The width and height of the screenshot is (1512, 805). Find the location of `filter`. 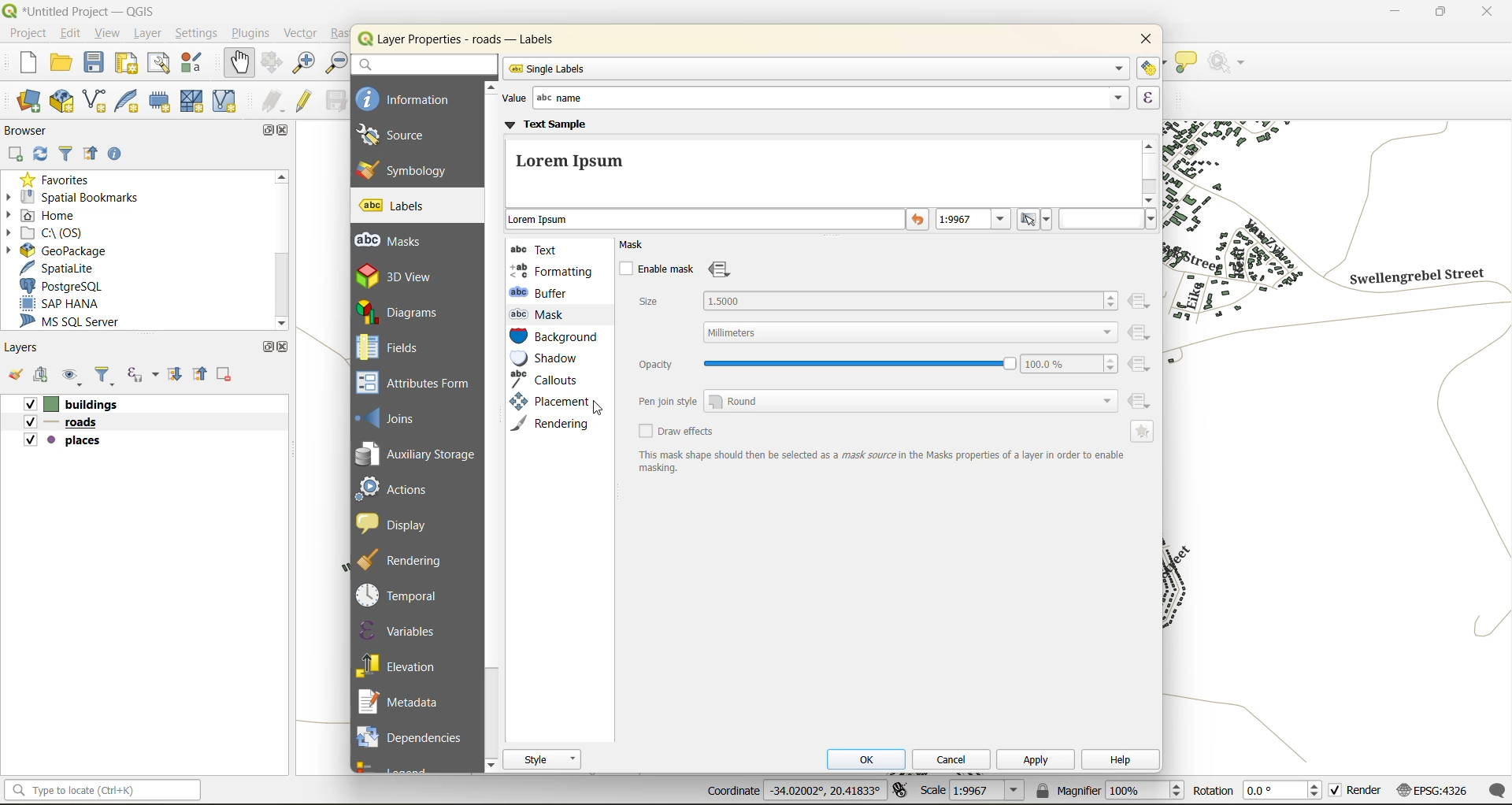

filter is located at coordinates (66, 154).